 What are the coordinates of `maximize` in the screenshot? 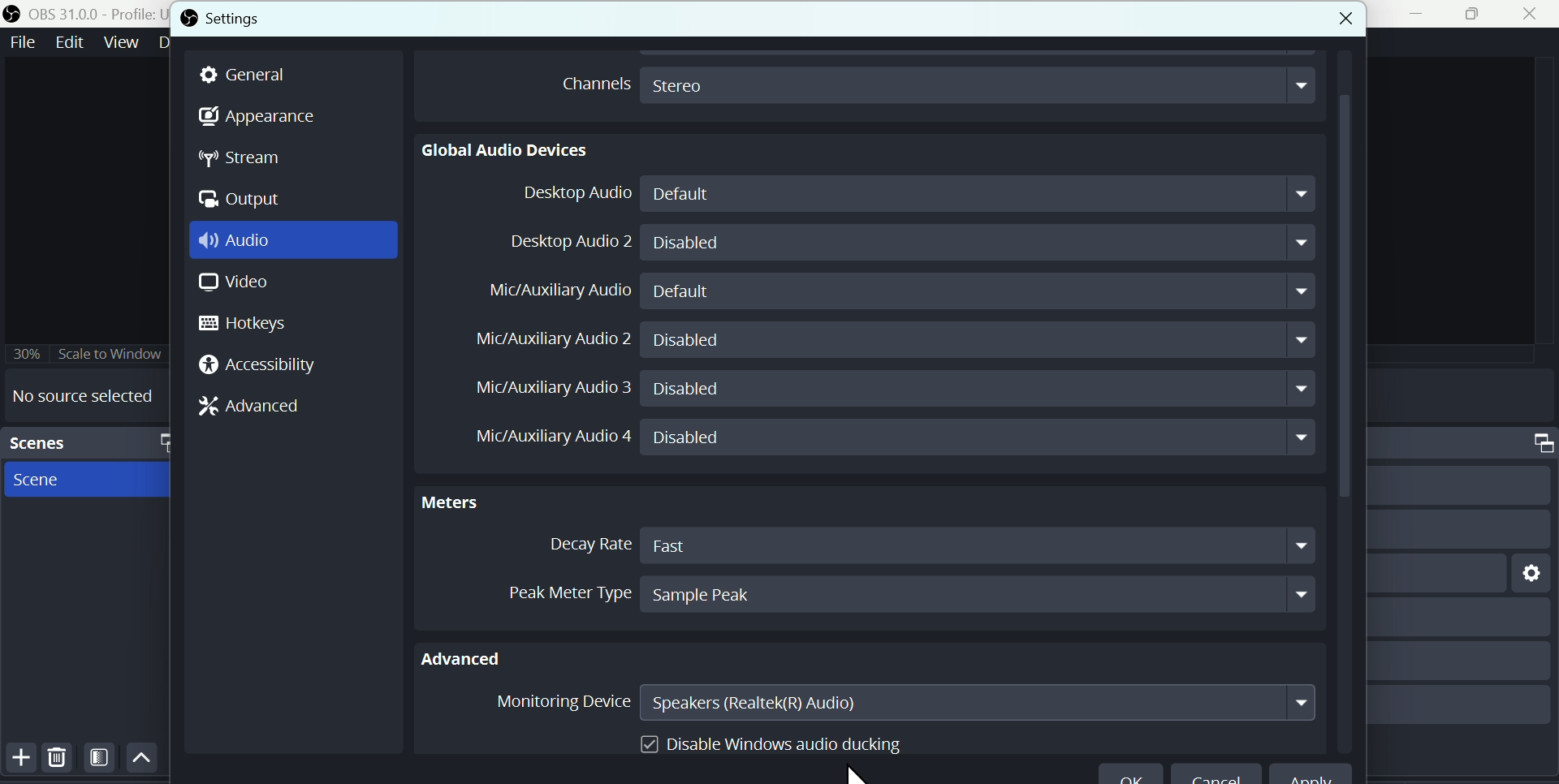 It's located at (162, 442).